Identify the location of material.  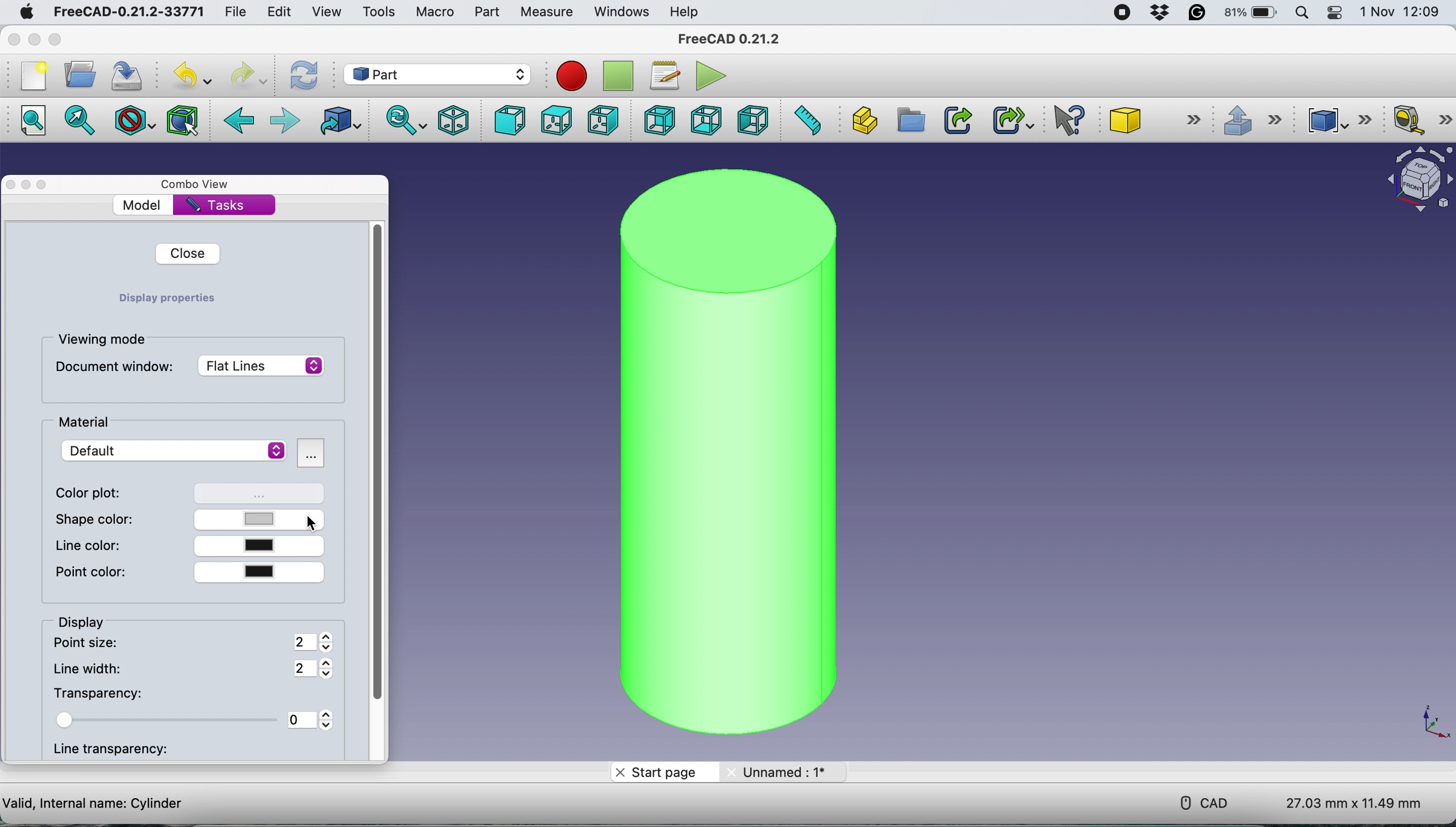
(92, 424).